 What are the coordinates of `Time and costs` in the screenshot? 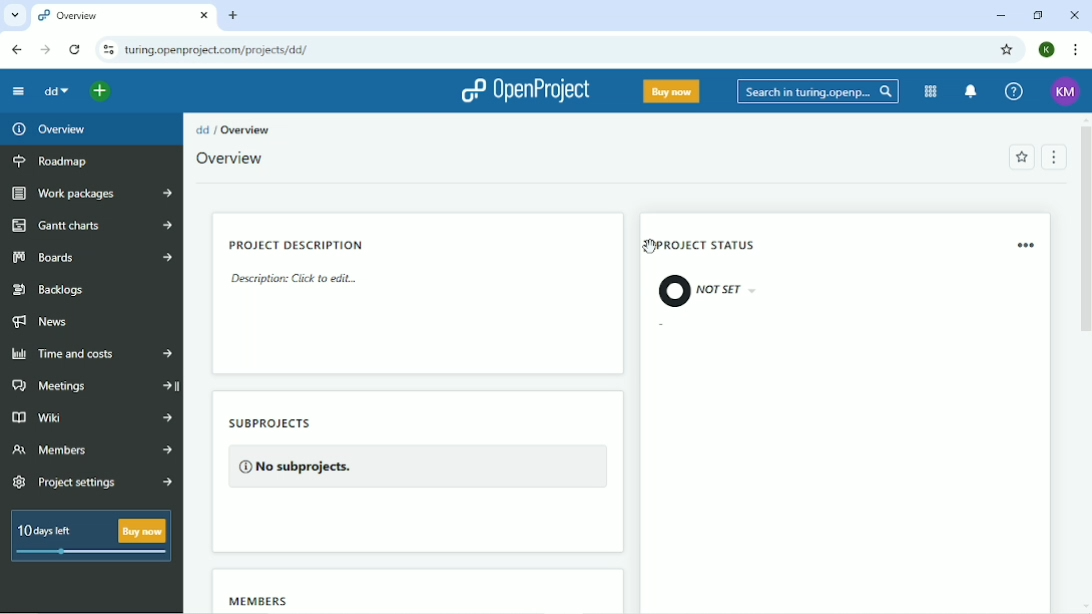 It's located at (92, 352).